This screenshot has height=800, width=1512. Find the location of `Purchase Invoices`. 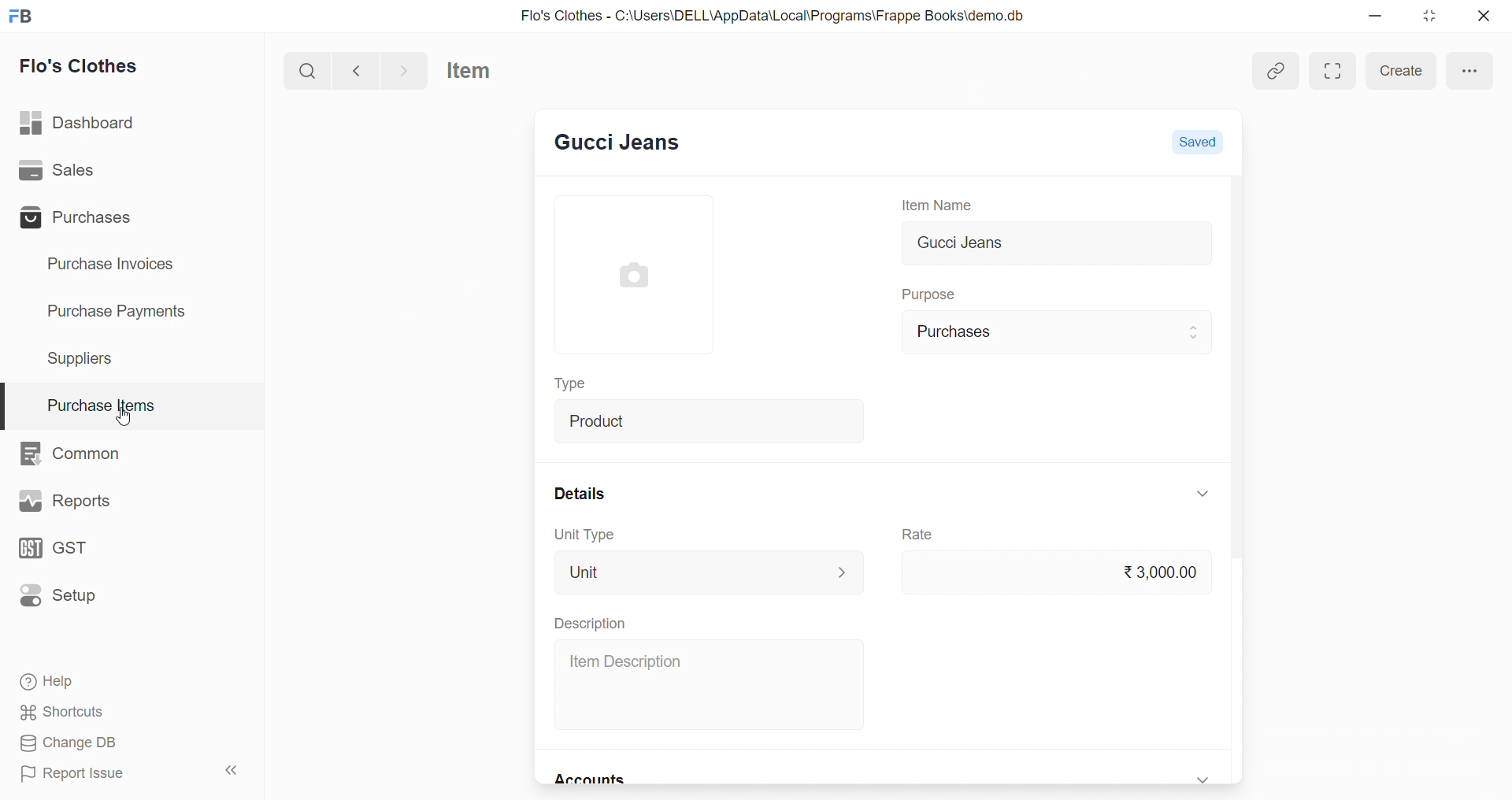

Purchase Invoices is located at coordinates (121, 265).